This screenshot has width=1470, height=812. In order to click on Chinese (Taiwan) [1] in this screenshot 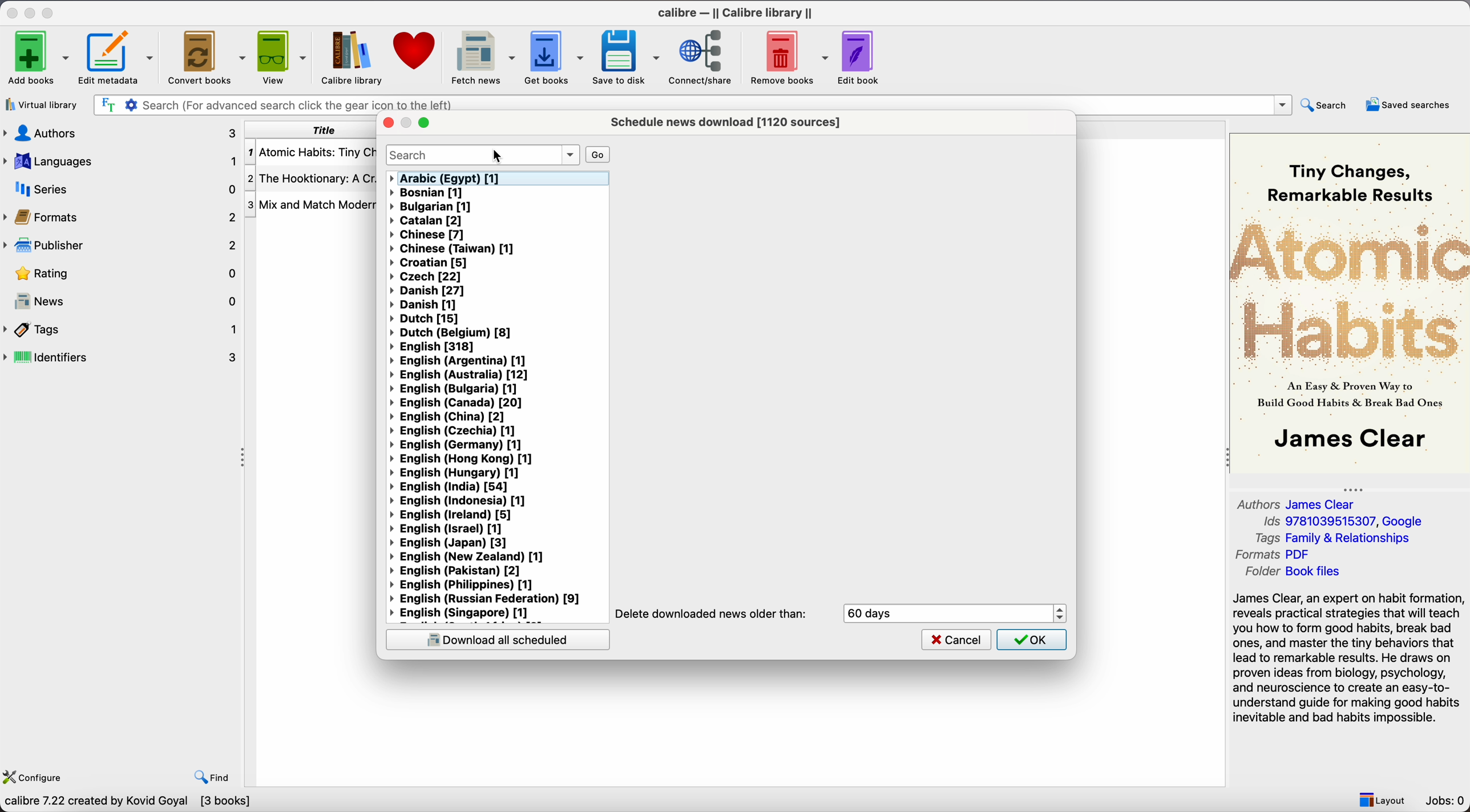, I will do `click(452, 248)`.